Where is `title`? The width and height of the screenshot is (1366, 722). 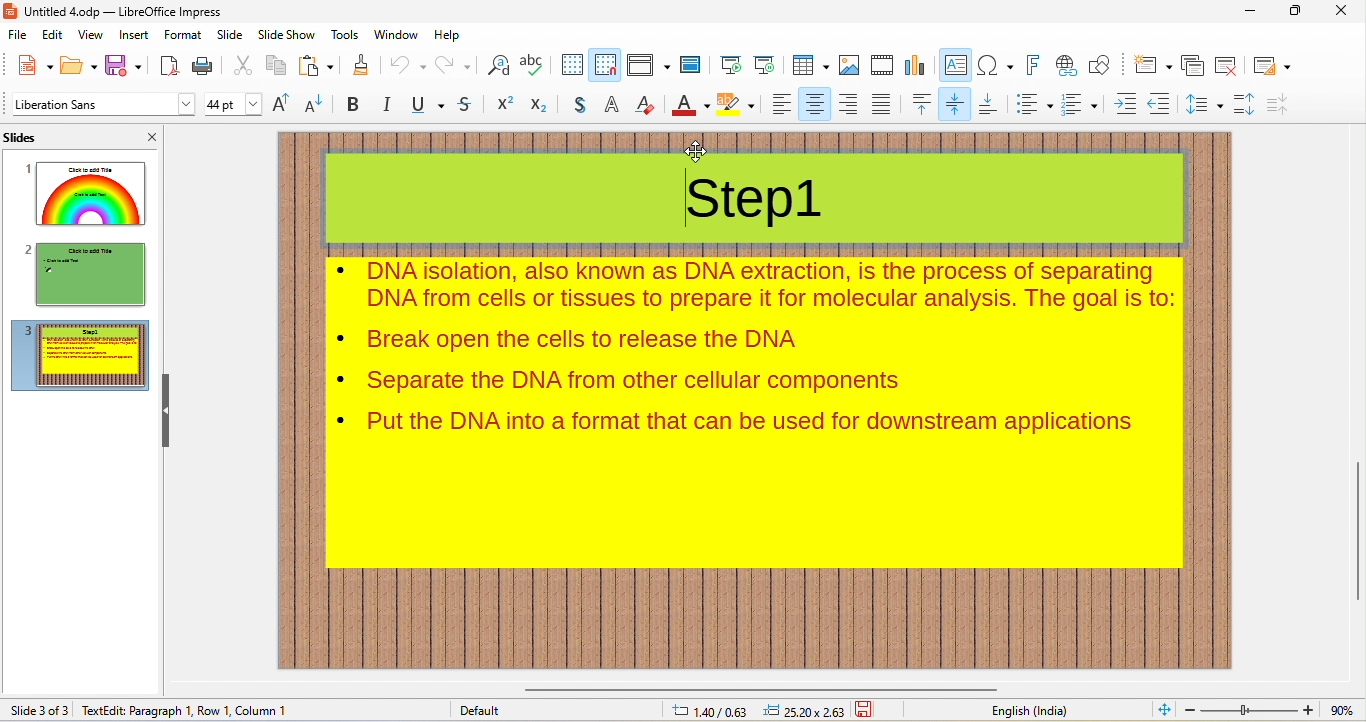 title is located at coordinates (760, 186).